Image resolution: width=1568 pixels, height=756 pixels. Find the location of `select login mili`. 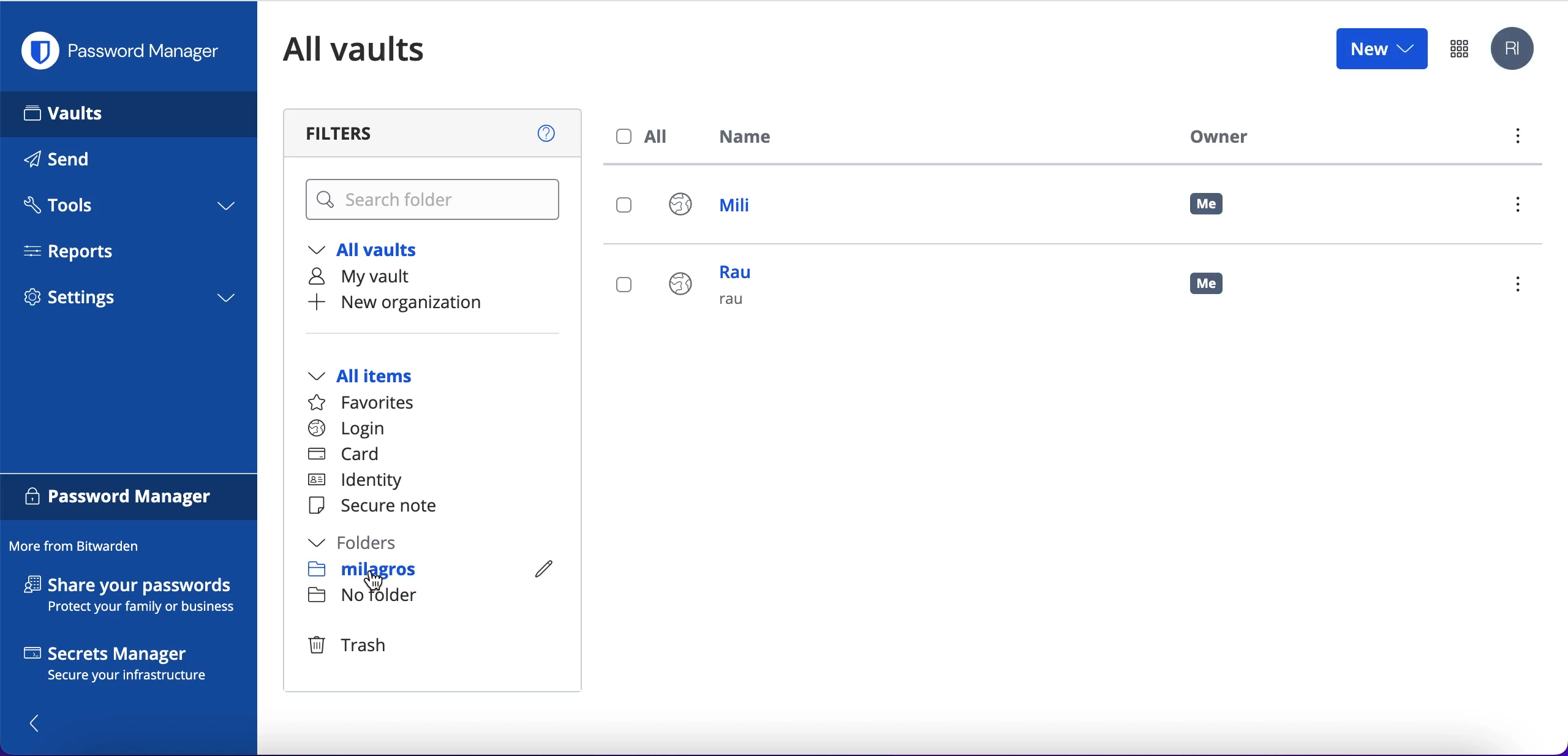

select login mili is located at coordinates (625, 206).